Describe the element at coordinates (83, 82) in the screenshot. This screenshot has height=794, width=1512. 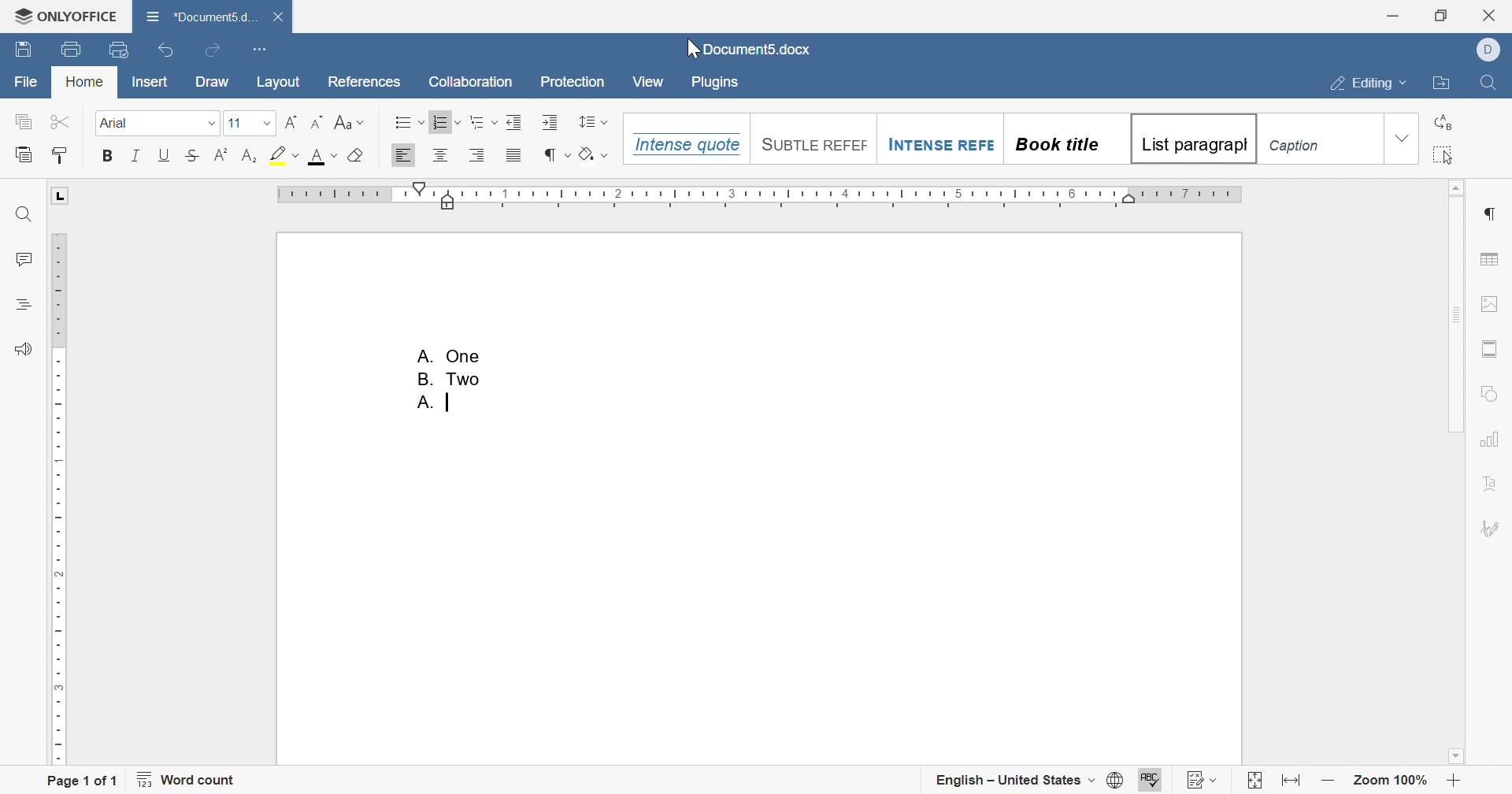
I see `home` at that location.